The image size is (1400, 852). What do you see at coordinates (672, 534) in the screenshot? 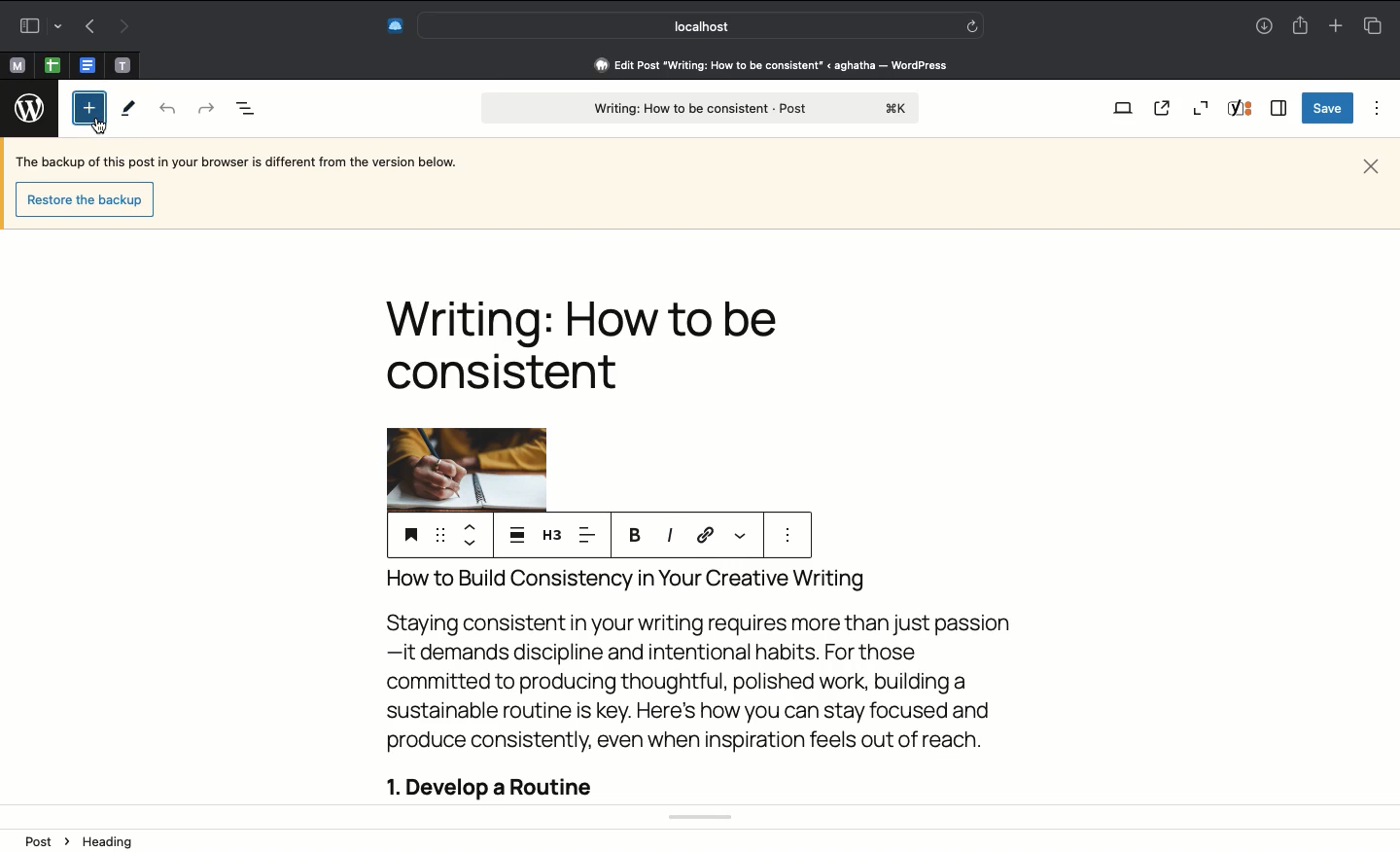
I see `Italics` at bounding box center [672, 534].